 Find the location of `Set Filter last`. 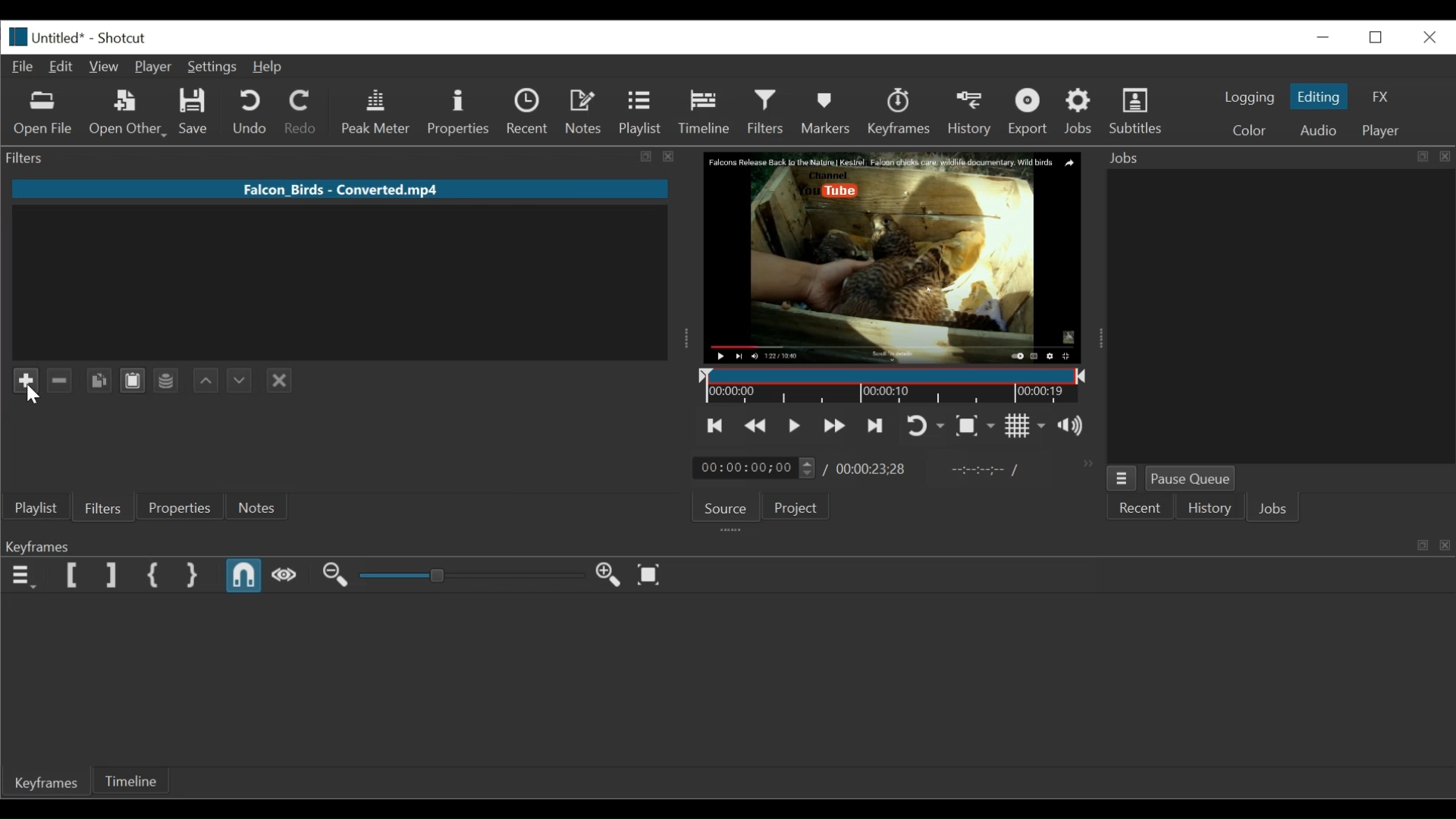

Set Filter last is located at coordinates (111, 576).